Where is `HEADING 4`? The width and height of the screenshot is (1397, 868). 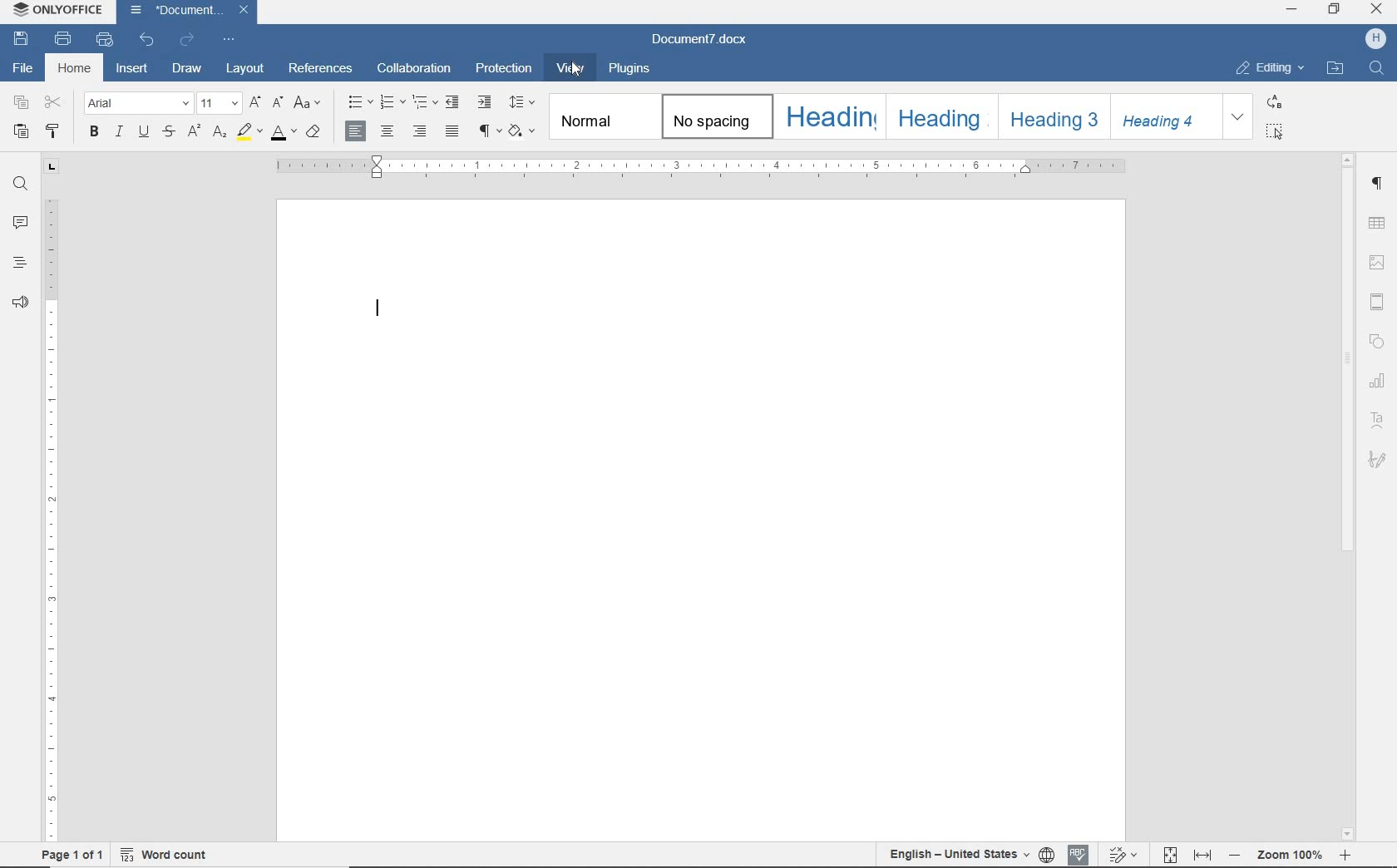
HEADING 4 is located at coordinates (827, 117).